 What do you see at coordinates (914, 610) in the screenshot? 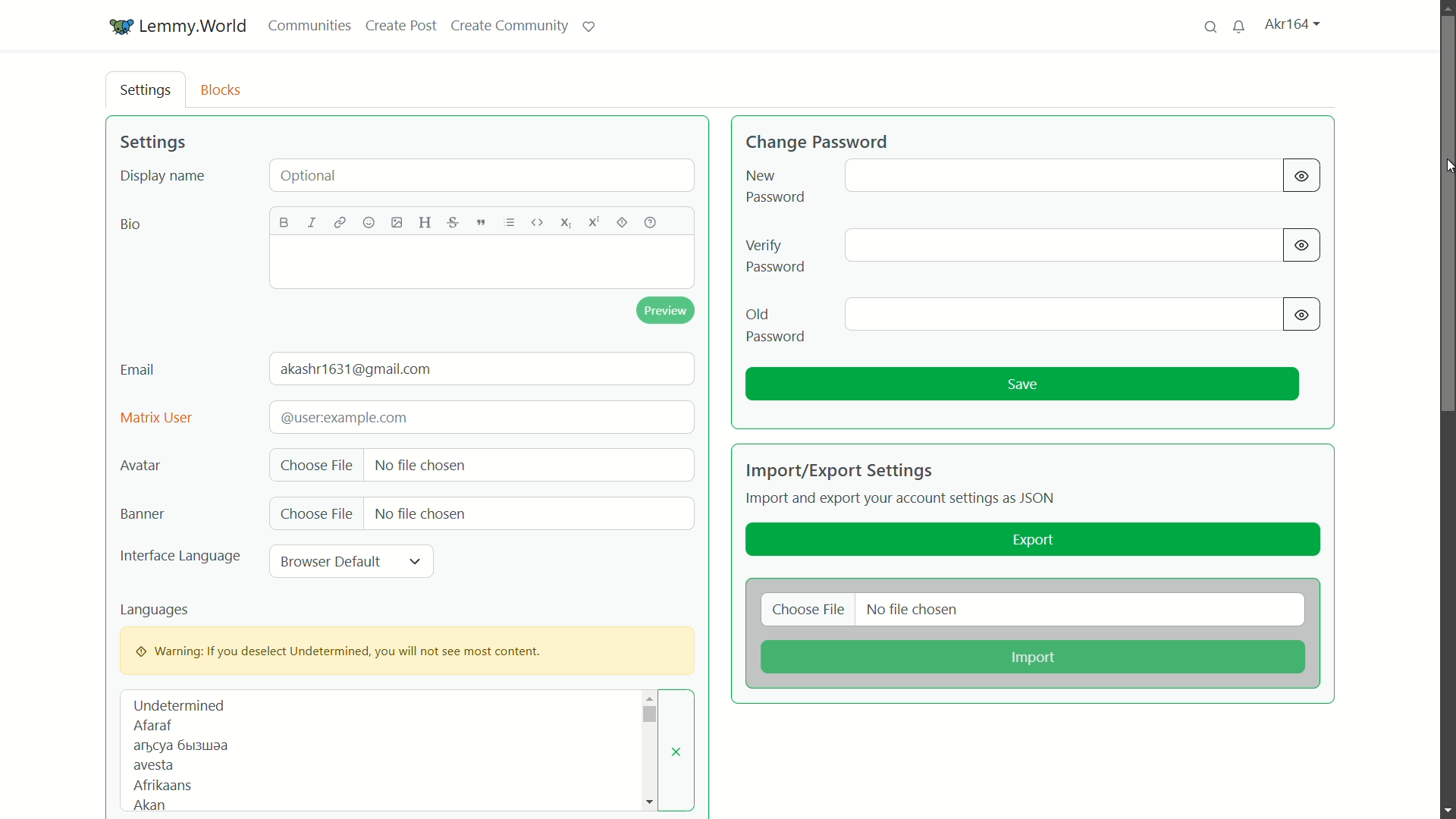
I see `no file chosen` at bounding box center [914, 610].